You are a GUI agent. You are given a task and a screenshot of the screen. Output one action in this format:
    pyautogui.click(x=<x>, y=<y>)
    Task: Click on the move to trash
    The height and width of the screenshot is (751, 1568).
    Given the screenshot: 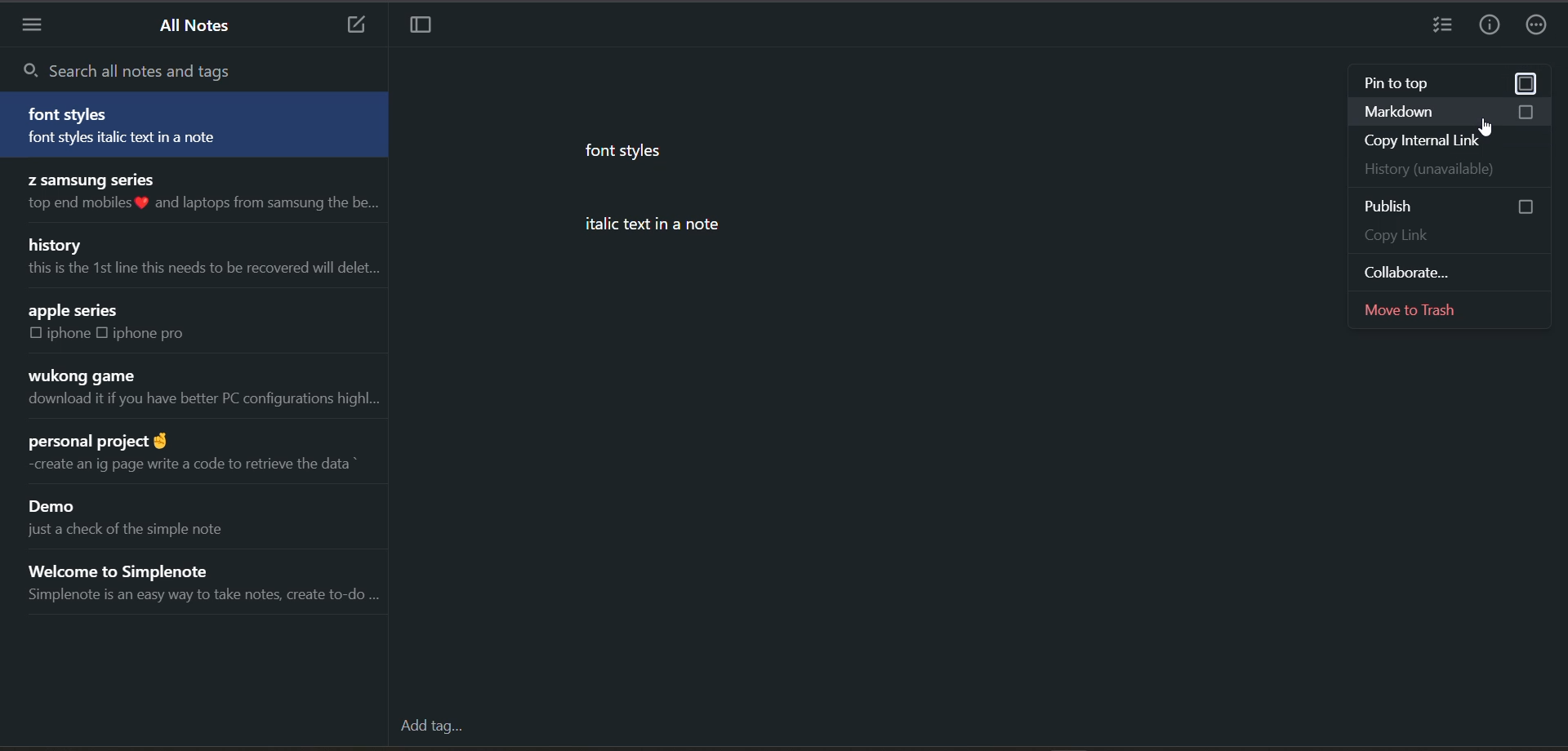 What is the action you would take?
    pyautogui.click(x=1451, y=309)
    